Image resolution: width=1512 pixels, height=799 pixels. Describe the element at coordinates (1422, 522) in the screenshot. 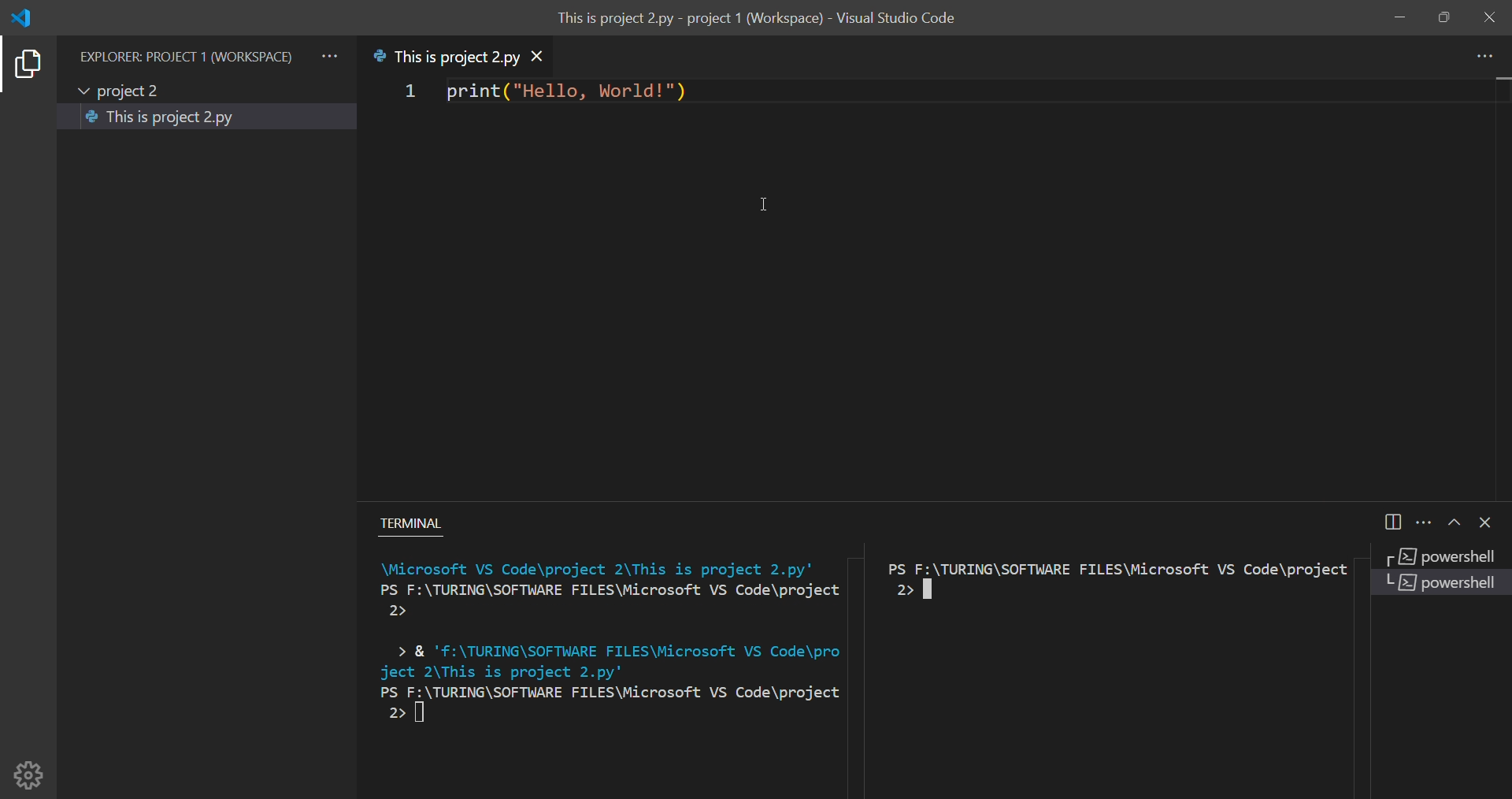

I see `more options` at that location.